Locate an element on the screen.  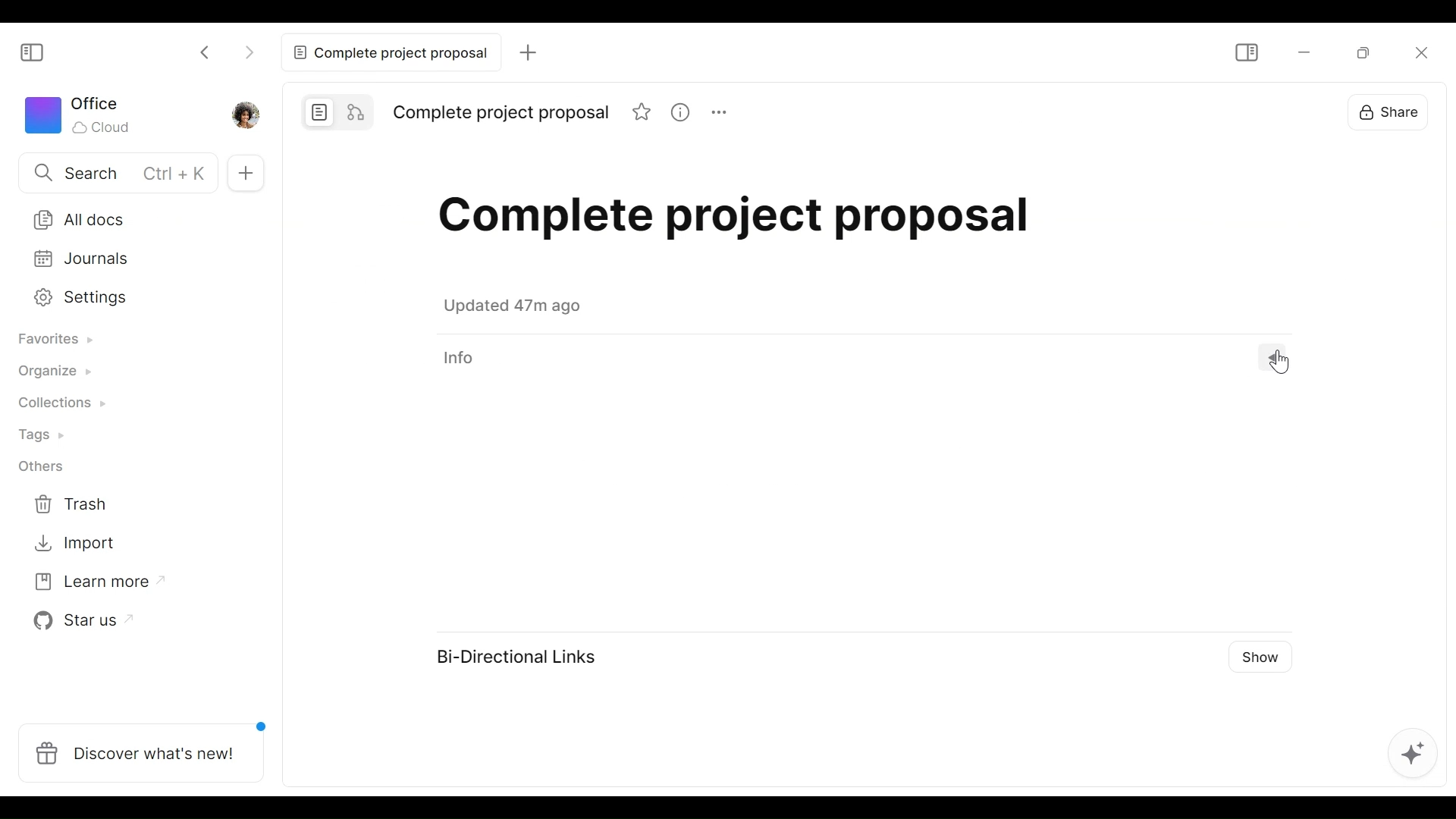
Star us is located at coordinates (80, 623).